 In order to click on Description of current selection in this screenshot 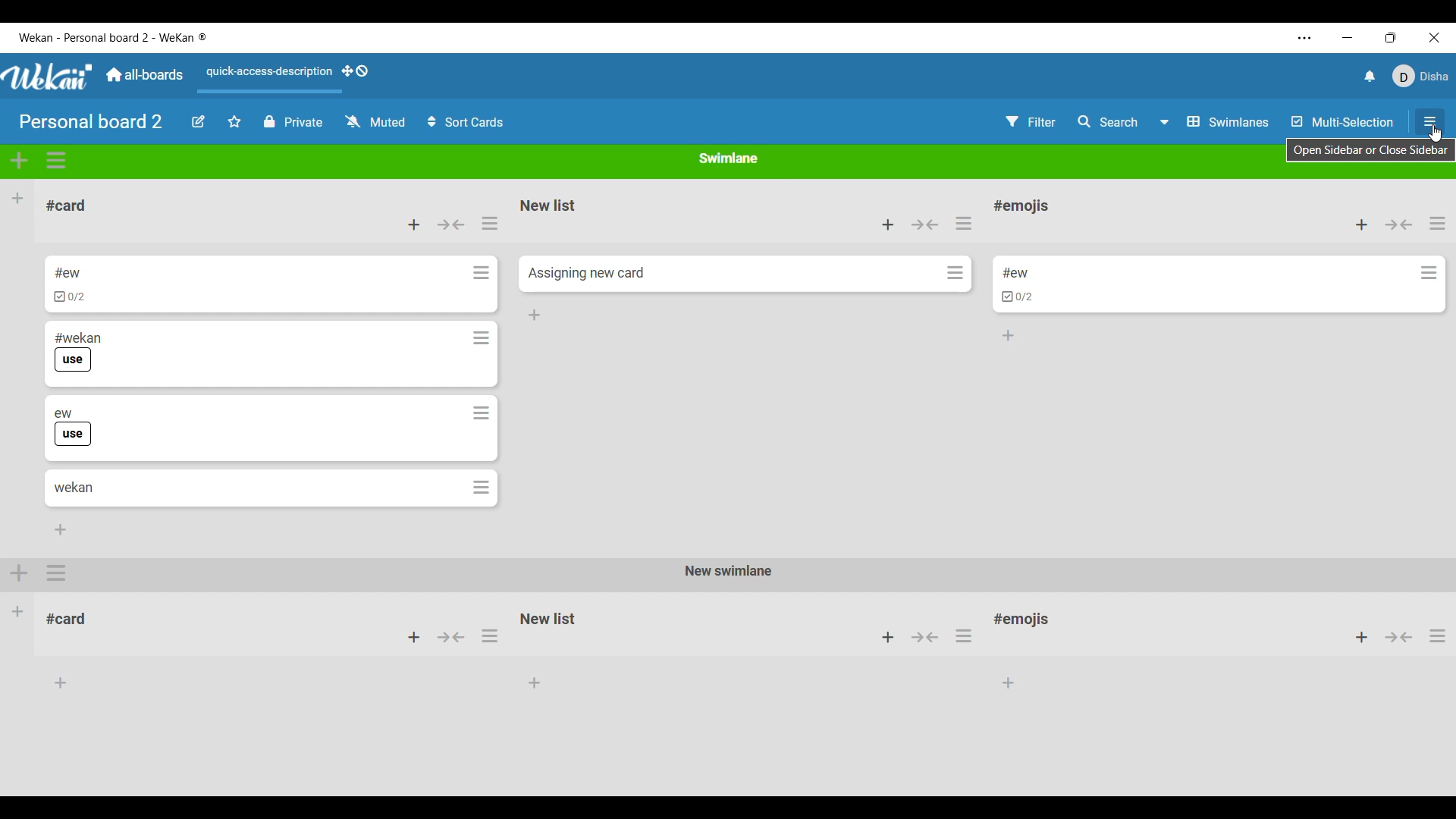, I will do `click(1371, 152)`.